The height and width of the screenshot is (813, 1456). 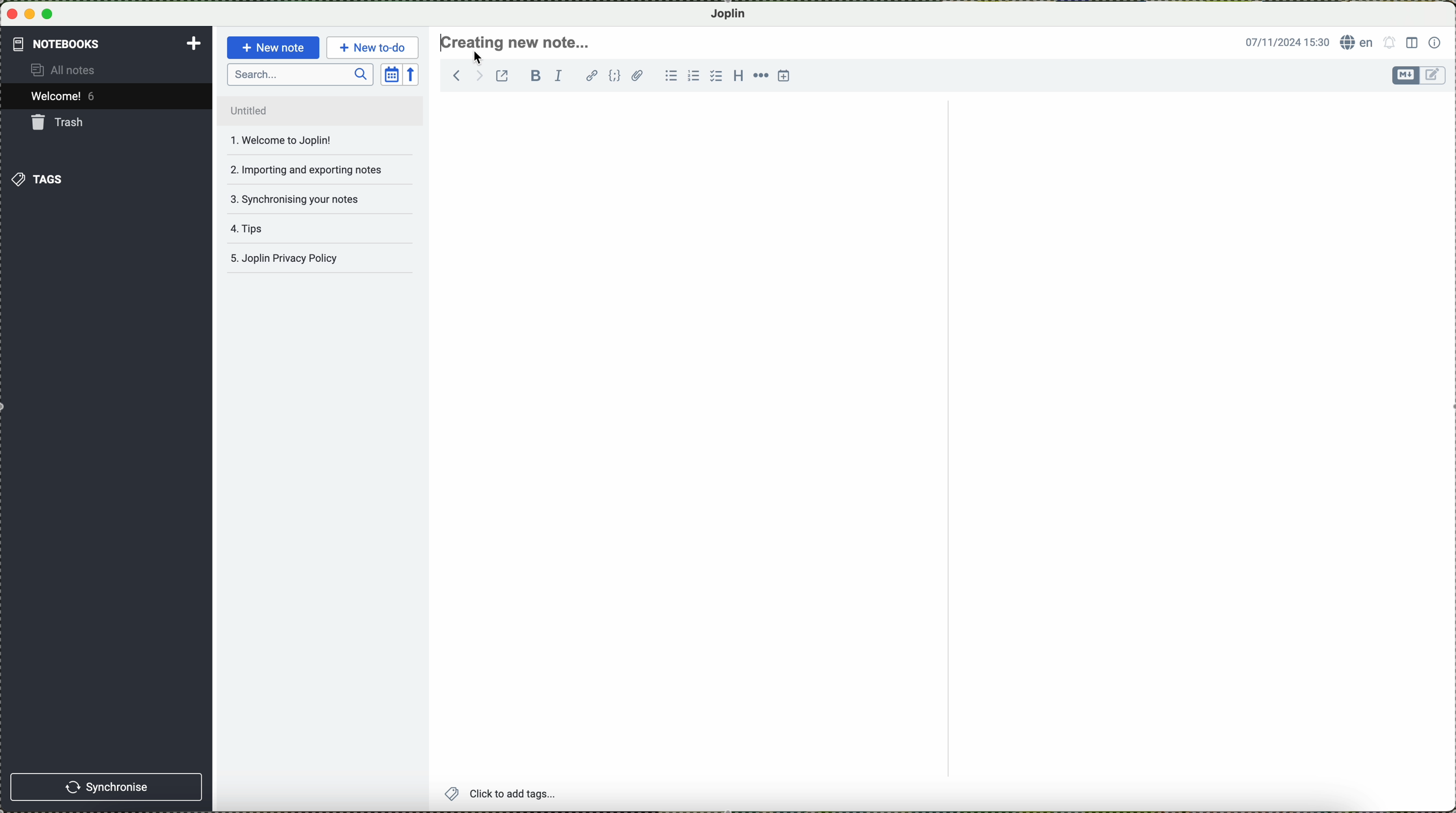 I want to click on tags, so click(x=39, y=179).